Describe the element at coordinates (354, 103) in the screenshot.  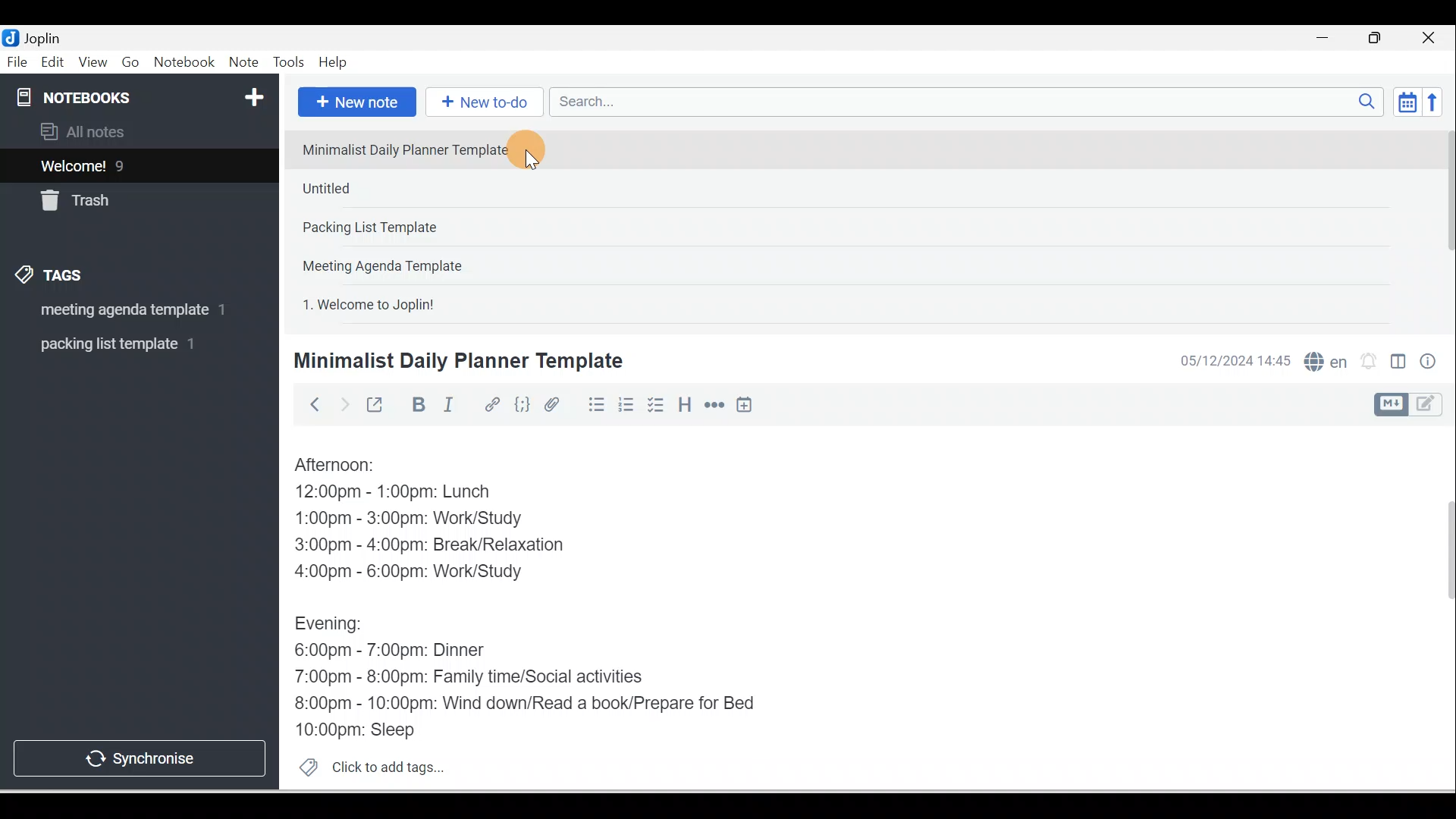
I see `New note` at that location.